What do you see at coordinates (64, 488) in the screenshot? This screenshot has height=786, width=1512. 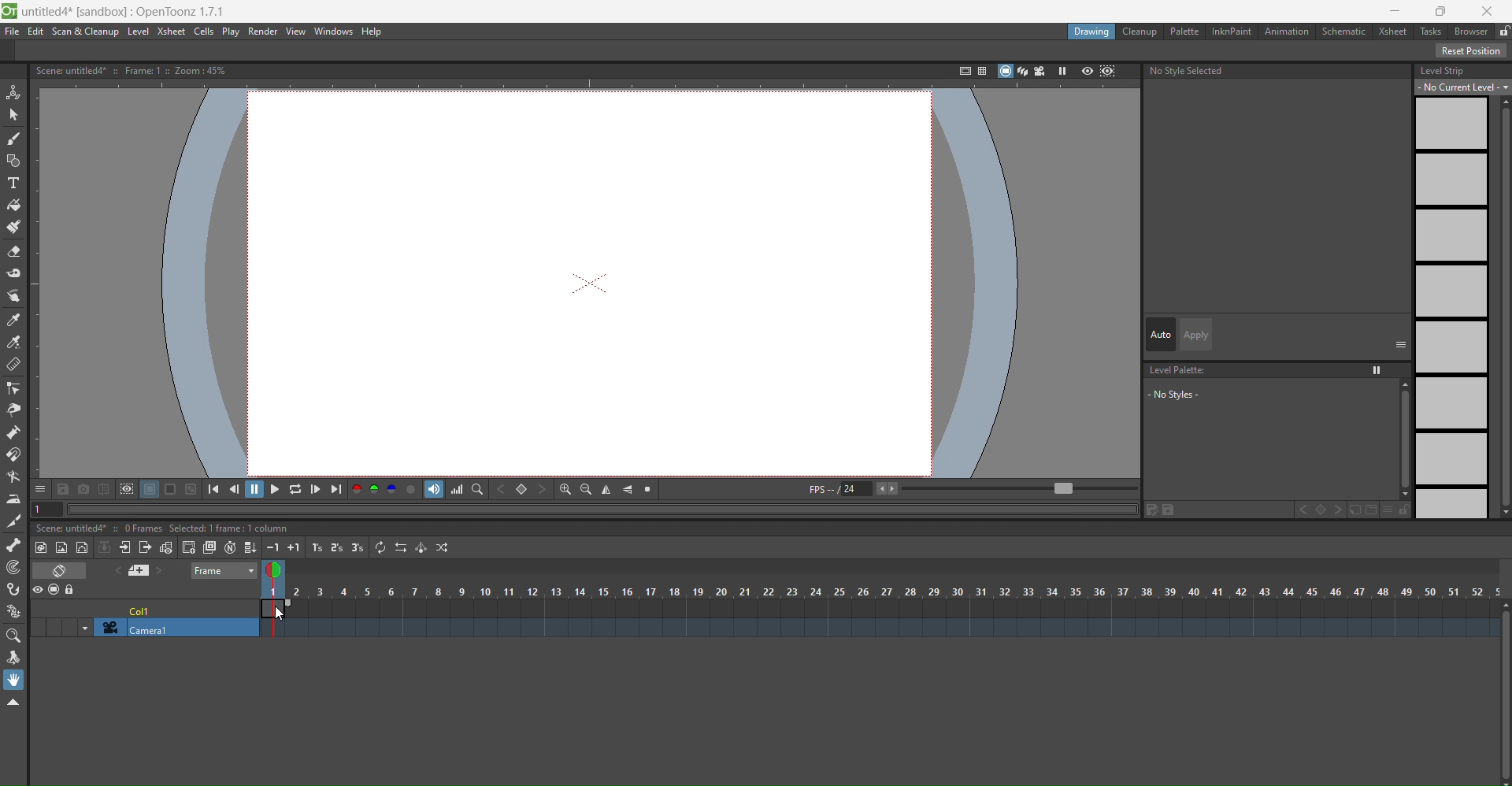 I see `tool` at bounding box center [64, 488].